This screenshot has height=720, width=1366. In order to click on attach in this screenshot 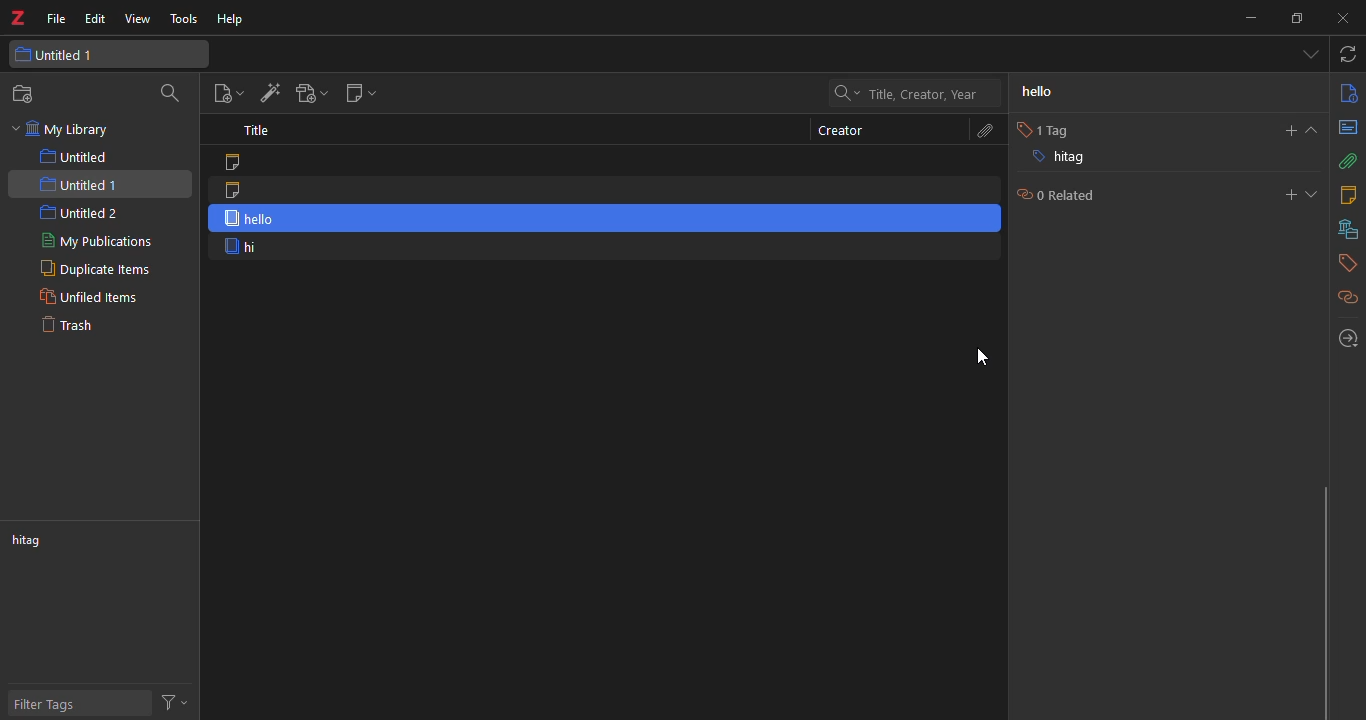, I will do `click(1347, 162)`.